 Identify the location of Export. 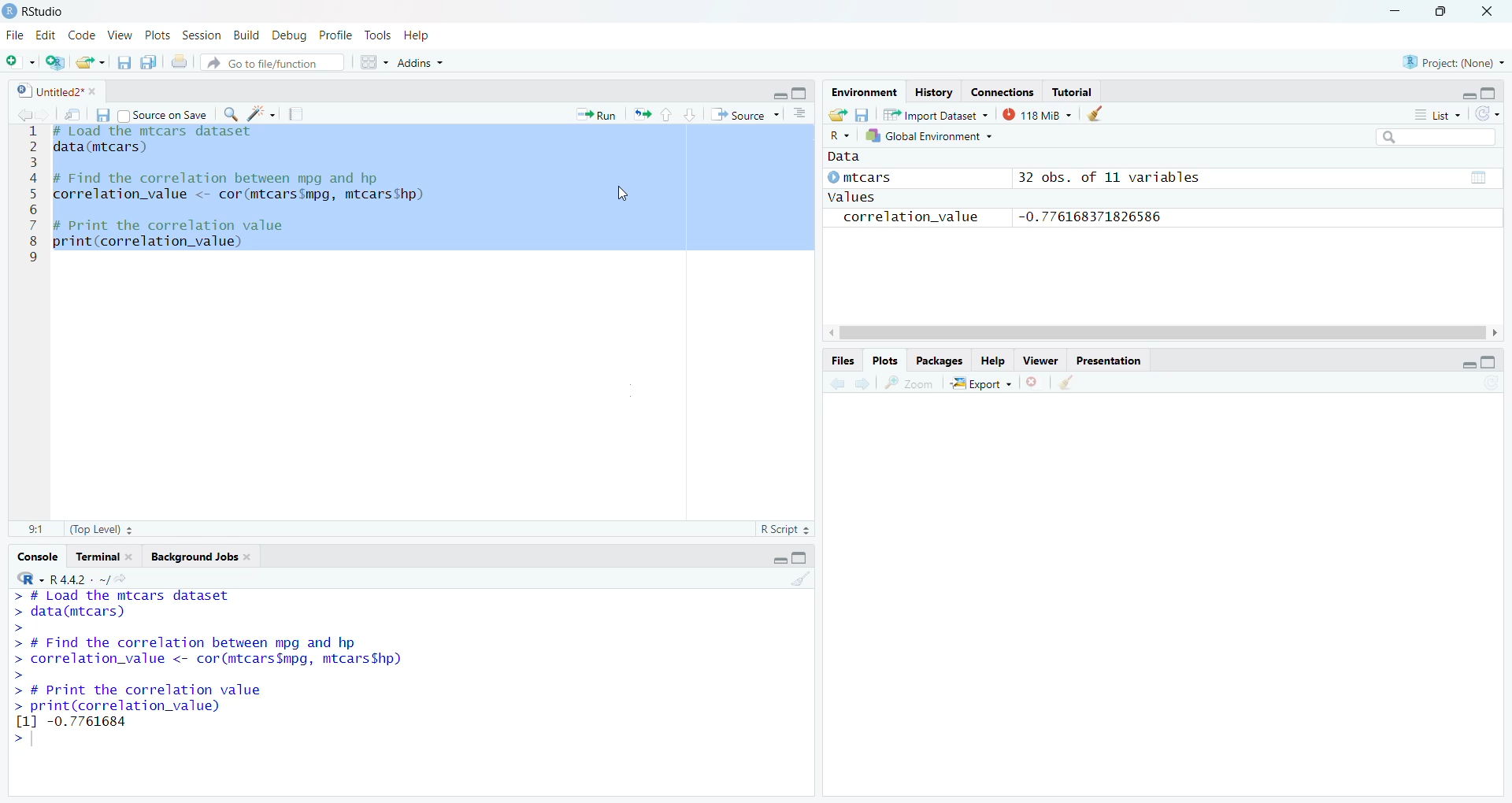
(982, 381).